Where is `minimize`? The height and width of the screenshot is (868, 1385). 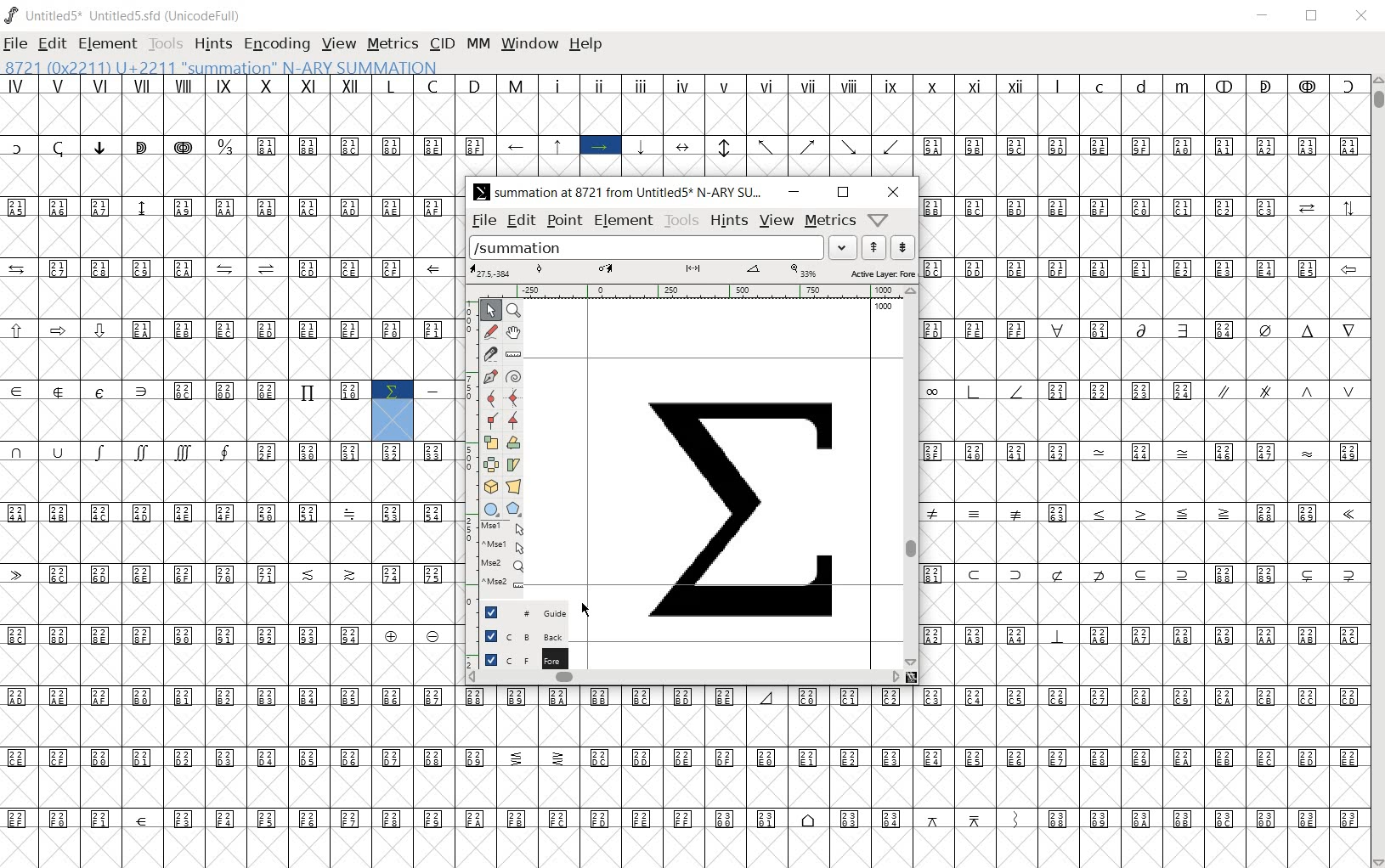
minimize is located at coordinates (794, 193).